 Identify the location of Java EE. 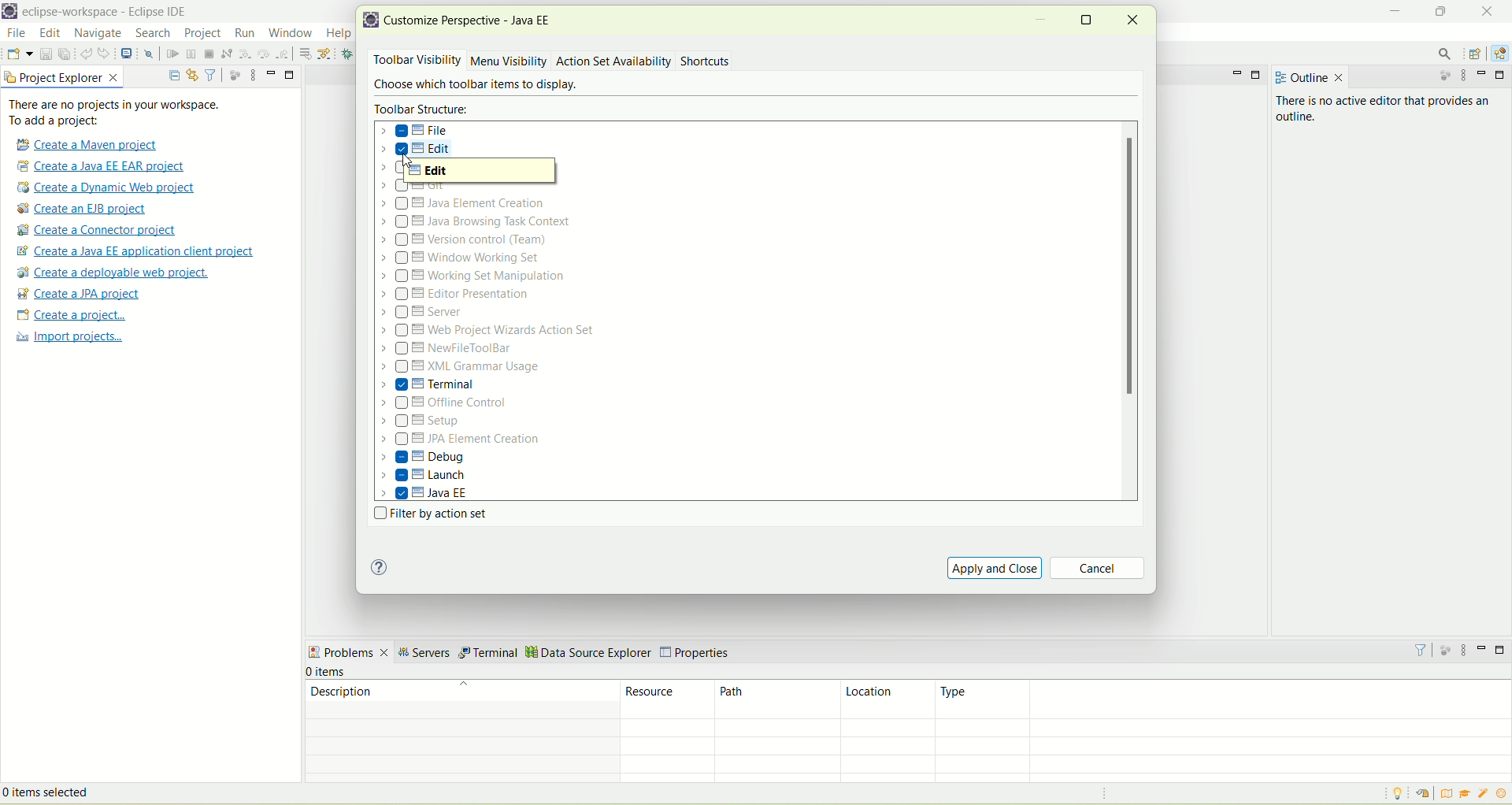
(1499, 54).